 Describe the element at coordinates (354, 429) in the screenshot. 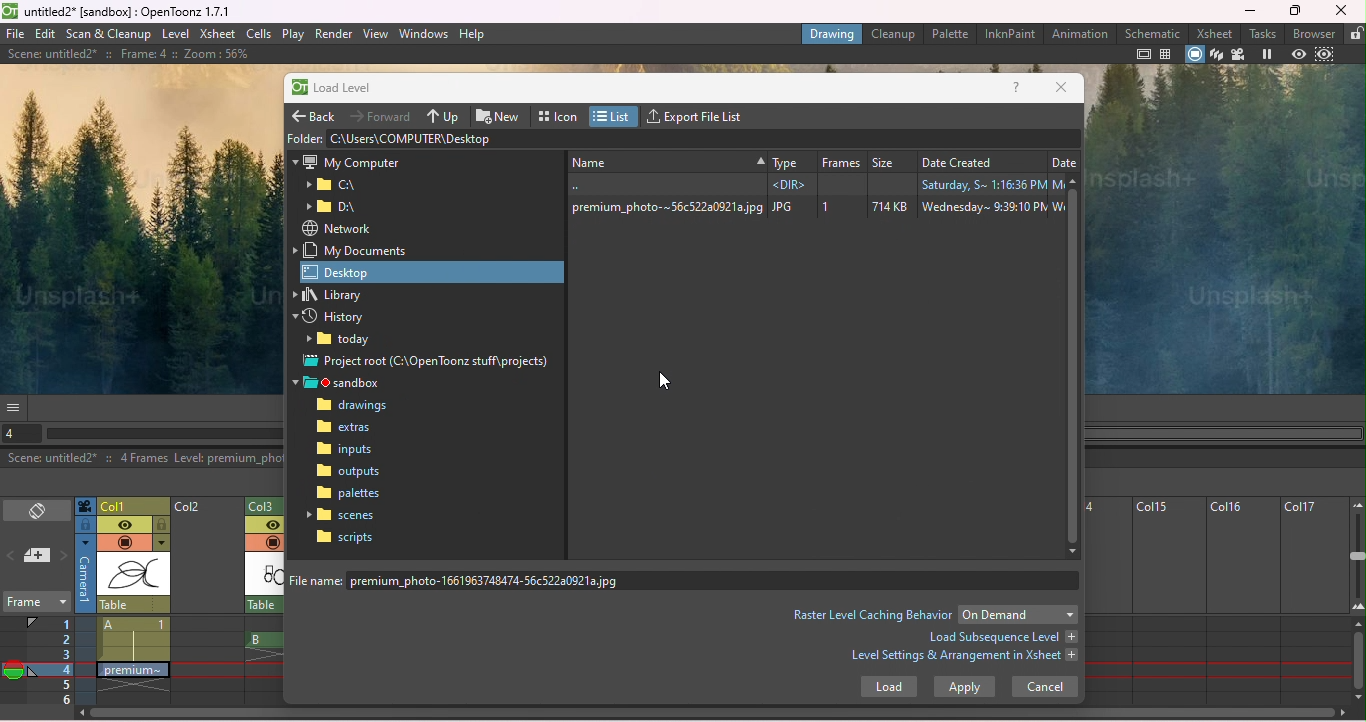

I see `Extras` at that location.